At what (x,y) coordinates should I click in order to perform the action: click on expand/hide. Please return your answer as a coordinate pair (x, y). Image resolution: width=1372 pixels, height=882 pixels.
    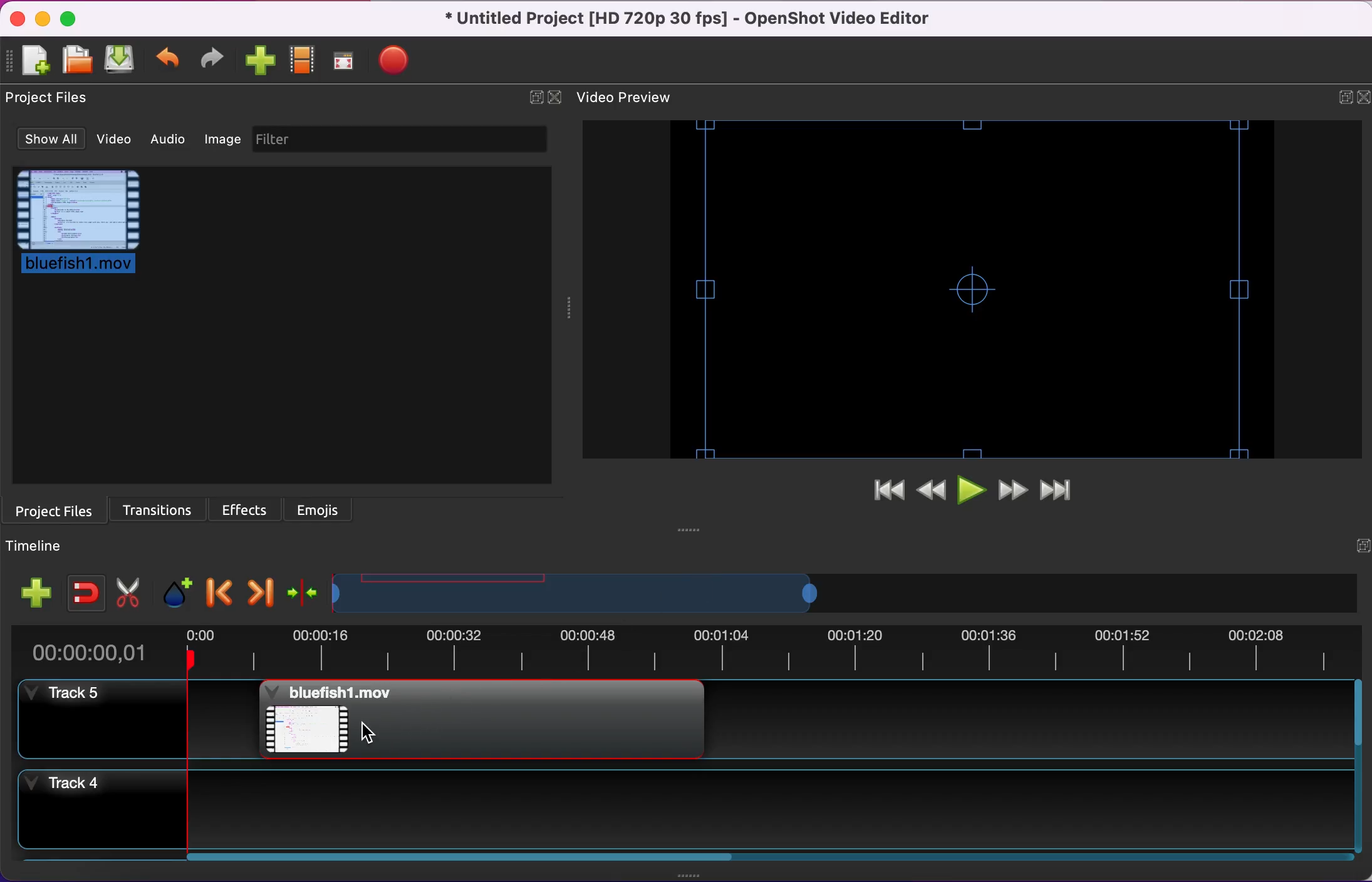
    Looking at the image, I should click on (534, 96).